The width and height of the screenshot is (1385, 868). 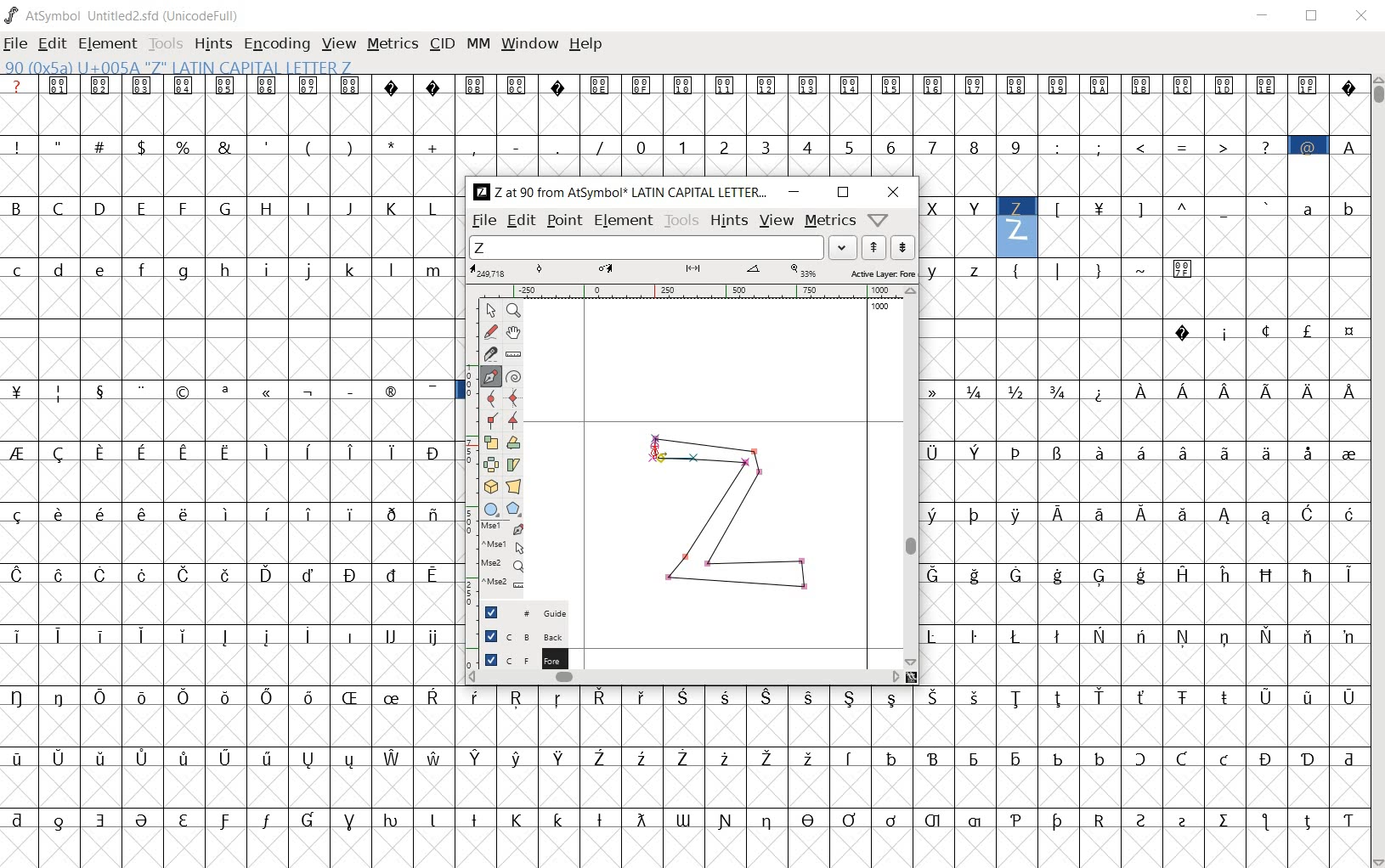 What do you see at coordinates (513, 397) in the screenshot?
I see `add a curve point always either horizontal or vertical` at bounding box center [513, 397].